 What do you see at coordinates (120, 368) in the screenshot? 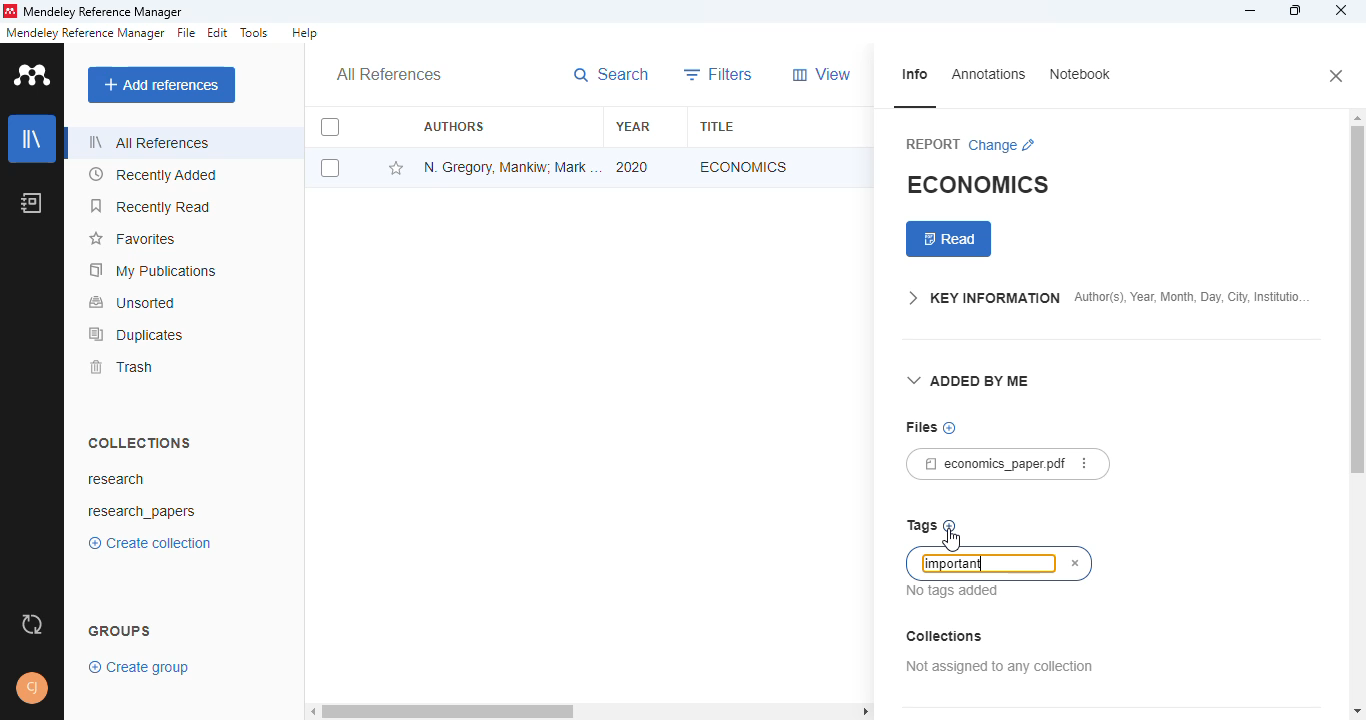
I see `trash` at bounding box center [120, 368].